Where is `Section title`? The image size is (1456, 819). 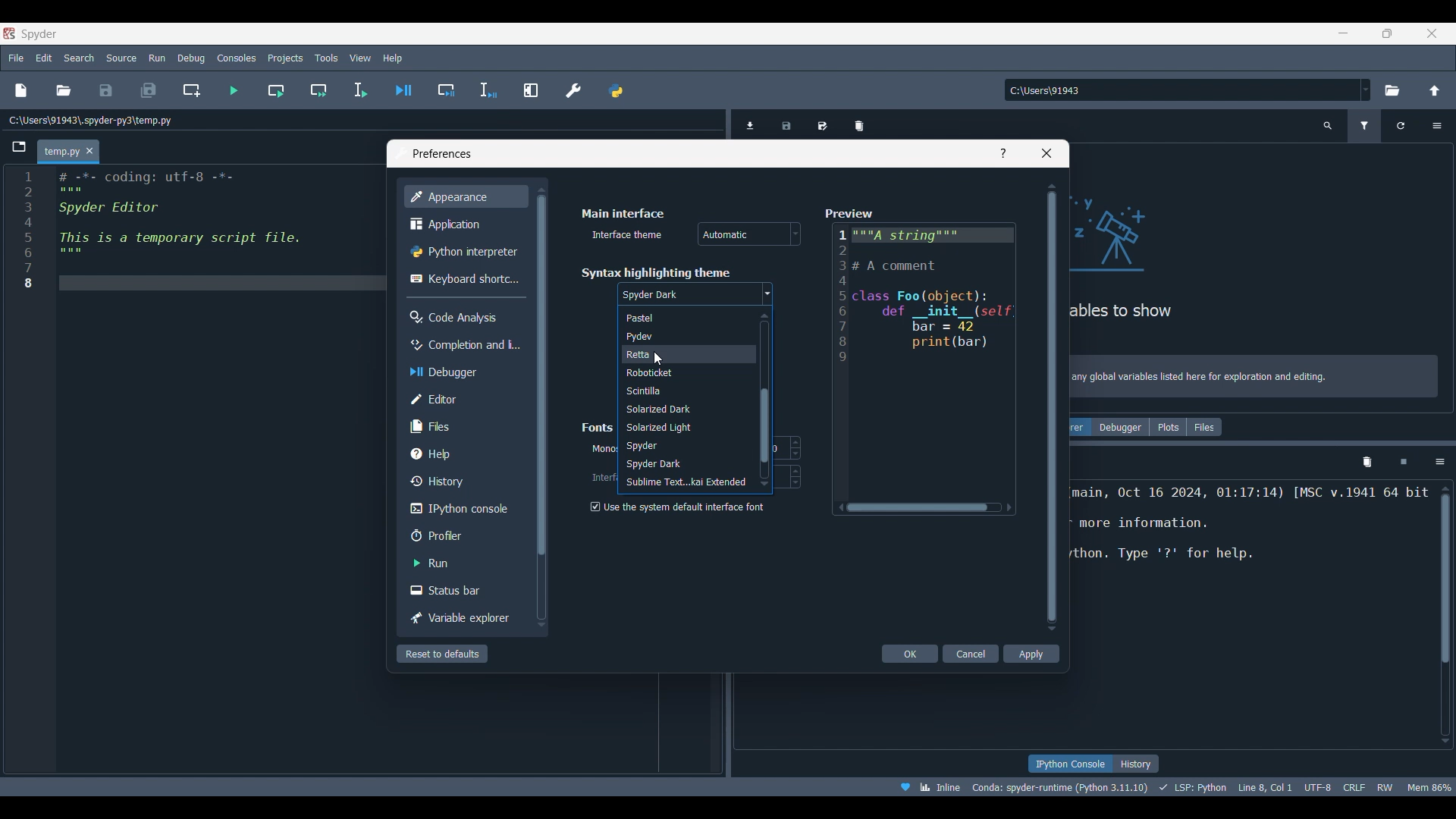 Section title is located at coordinates (599, 427).